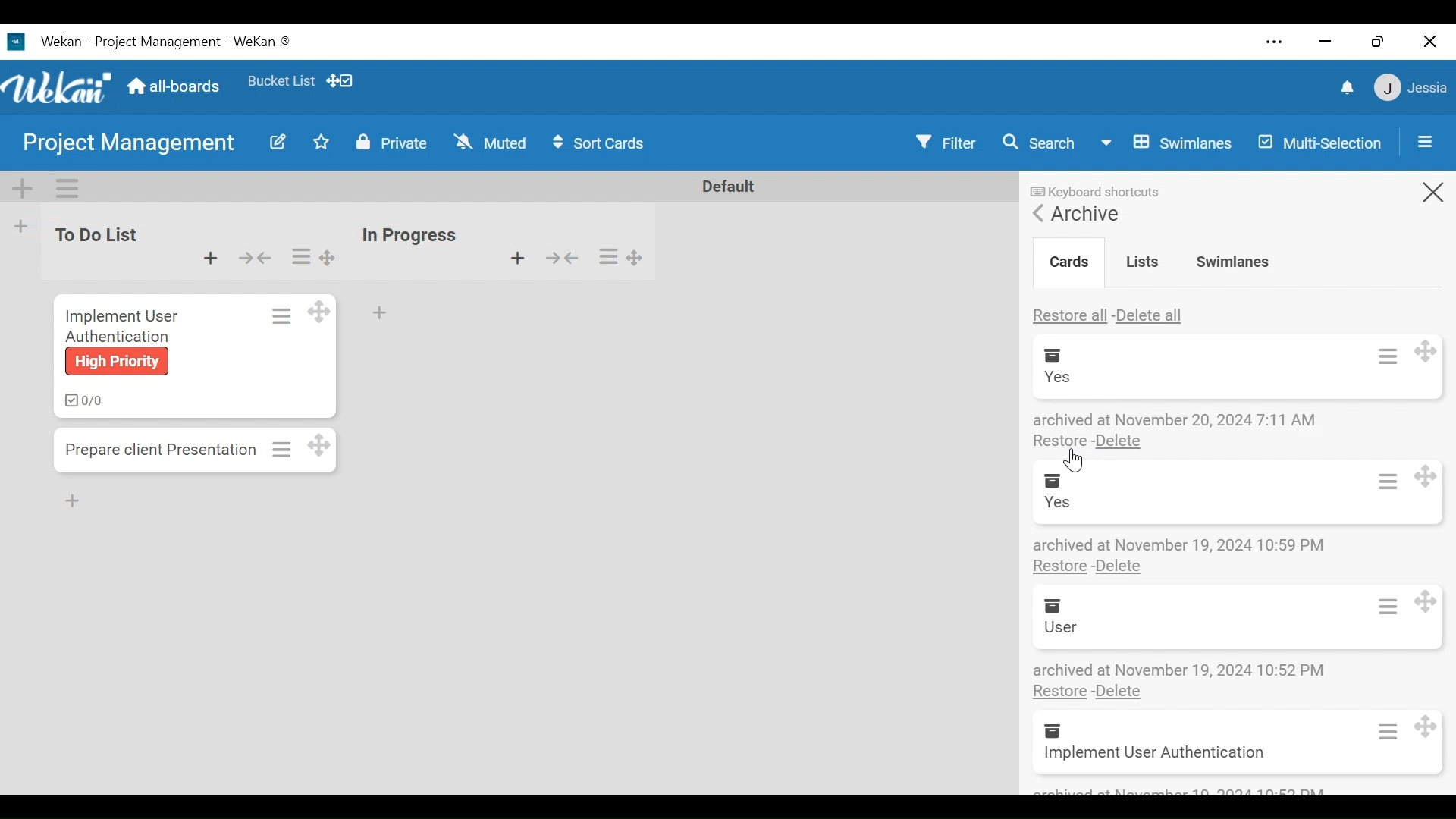 This screenshot has height=819, width=1456. Describe the element at coordinates (59, 89) in the screenshot. I see `wekan logo` at that location.